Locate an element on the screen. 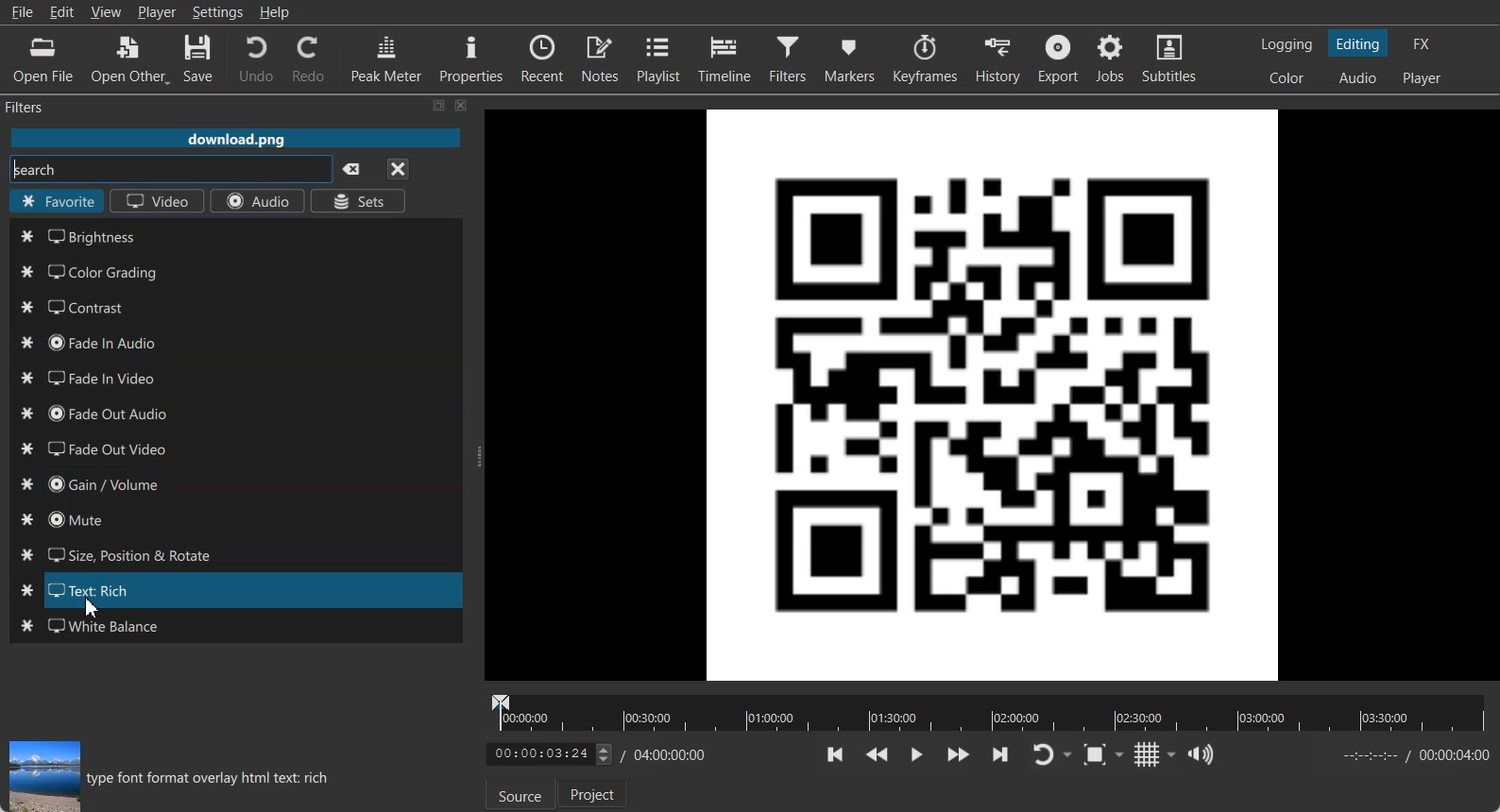 The image size is (1500, 812). Switching to the logging layout is located at coordinates (1287, 44).